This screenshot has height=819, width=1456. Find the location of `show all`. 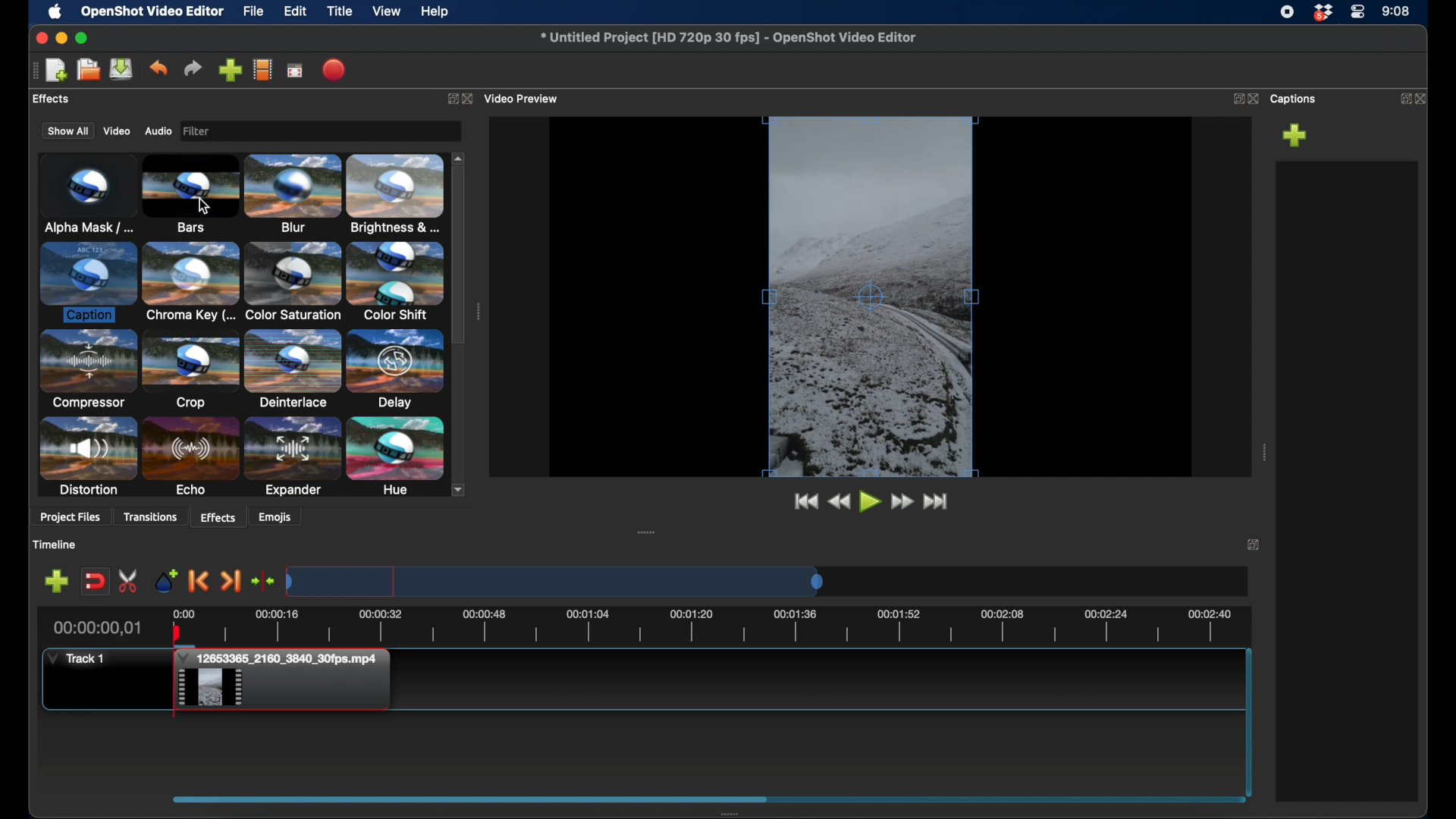

show all is located at coordinates (66, 132).